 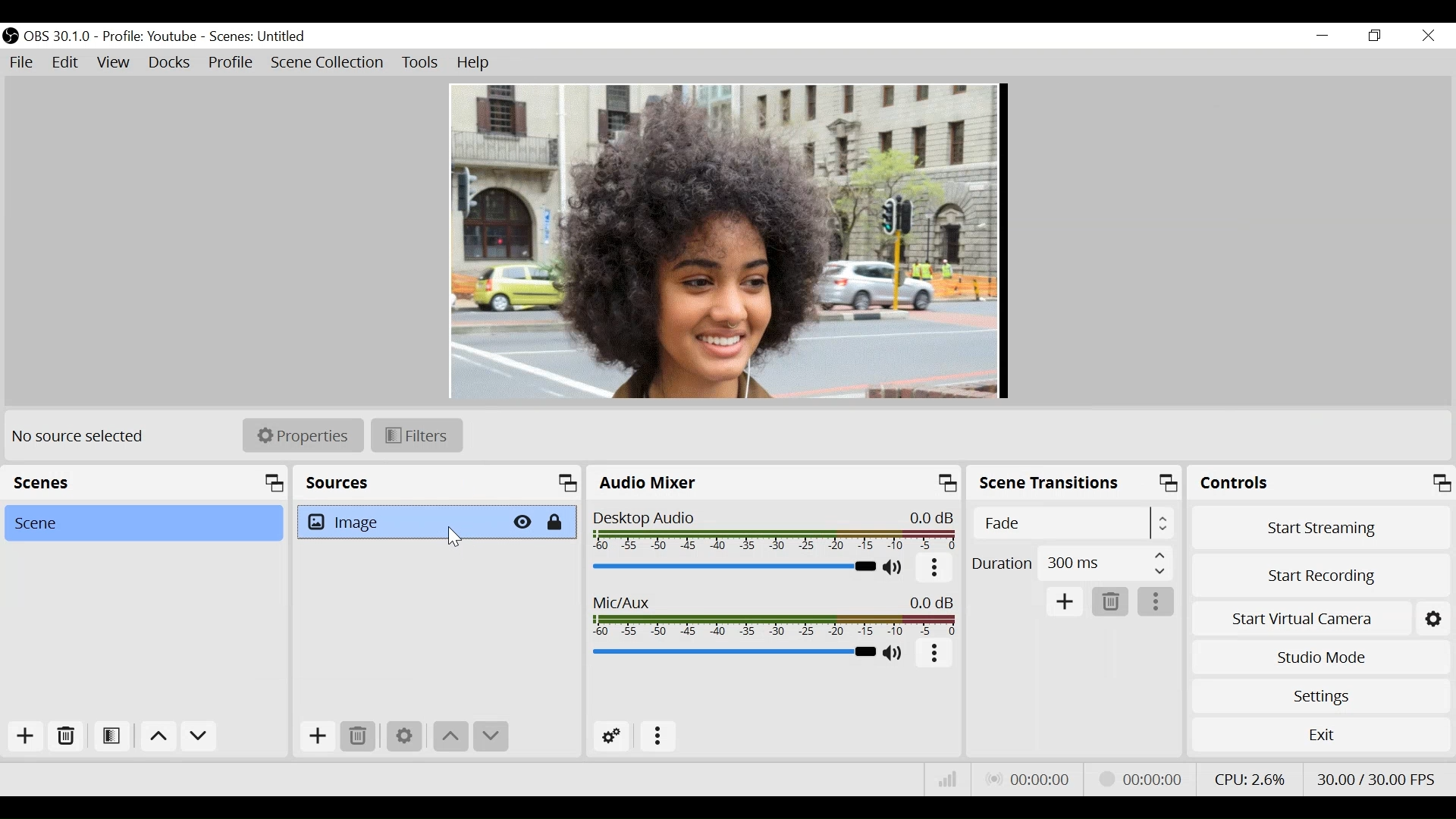 I want to click on OBS Studio Desktop Icon, so click(x=12, y=36).